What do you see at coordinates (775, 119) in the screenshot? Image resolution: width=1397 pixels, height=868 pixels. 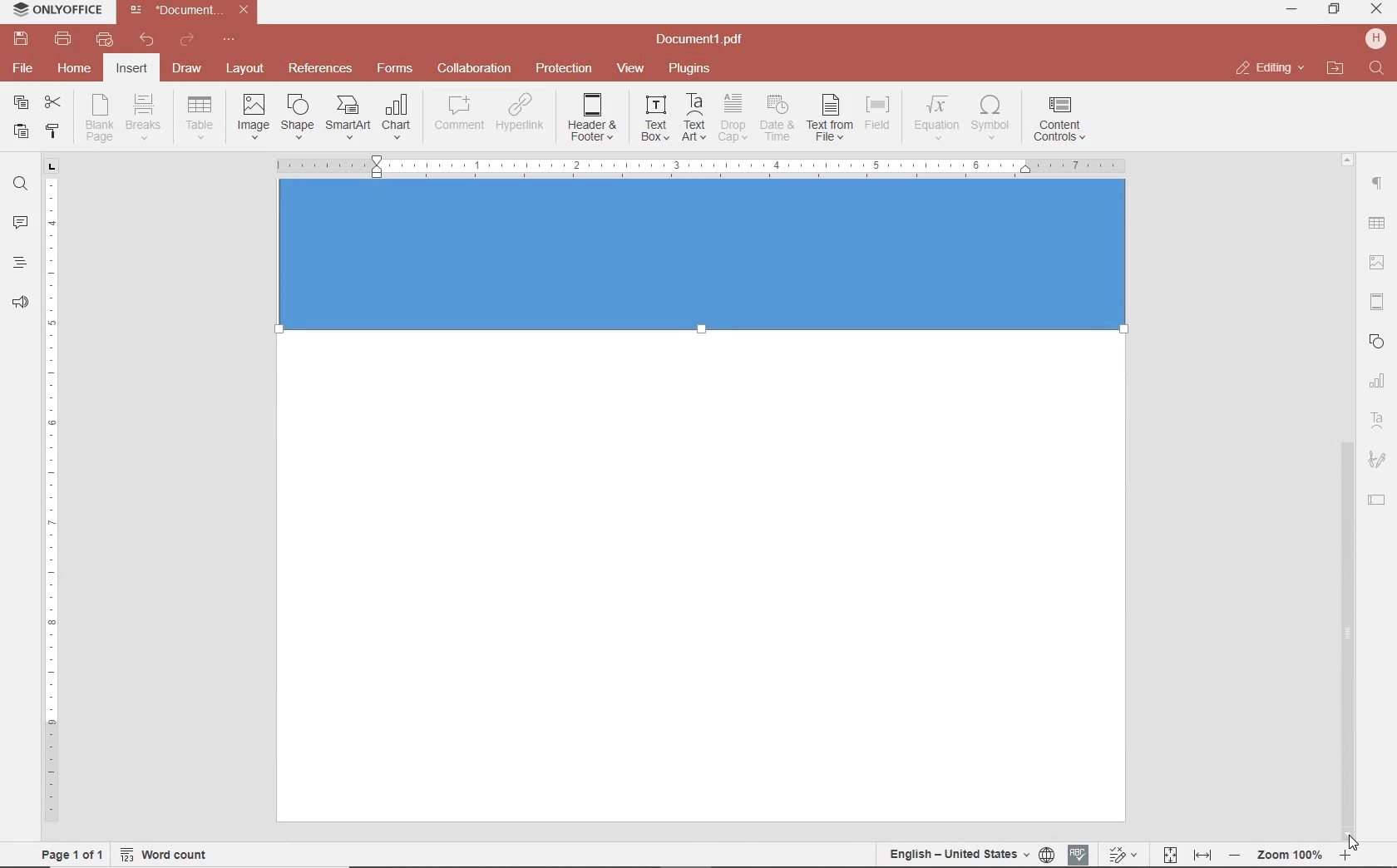 I see `INSERT CURRENT DATE AND TIME` at bounding box center [775, 119].